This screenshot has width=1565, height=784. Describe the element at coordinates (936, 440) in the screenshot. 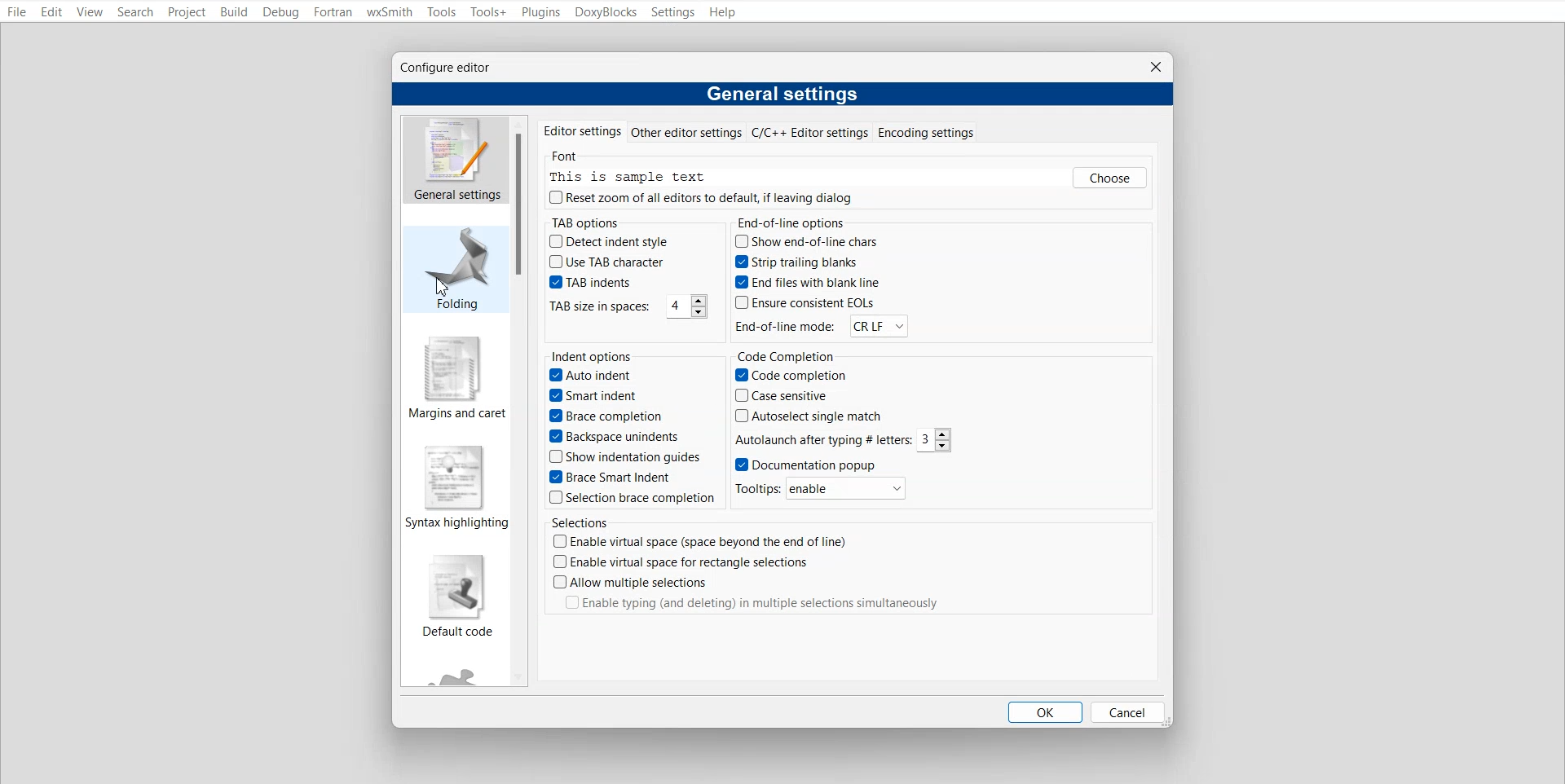

I see `3` at that location.